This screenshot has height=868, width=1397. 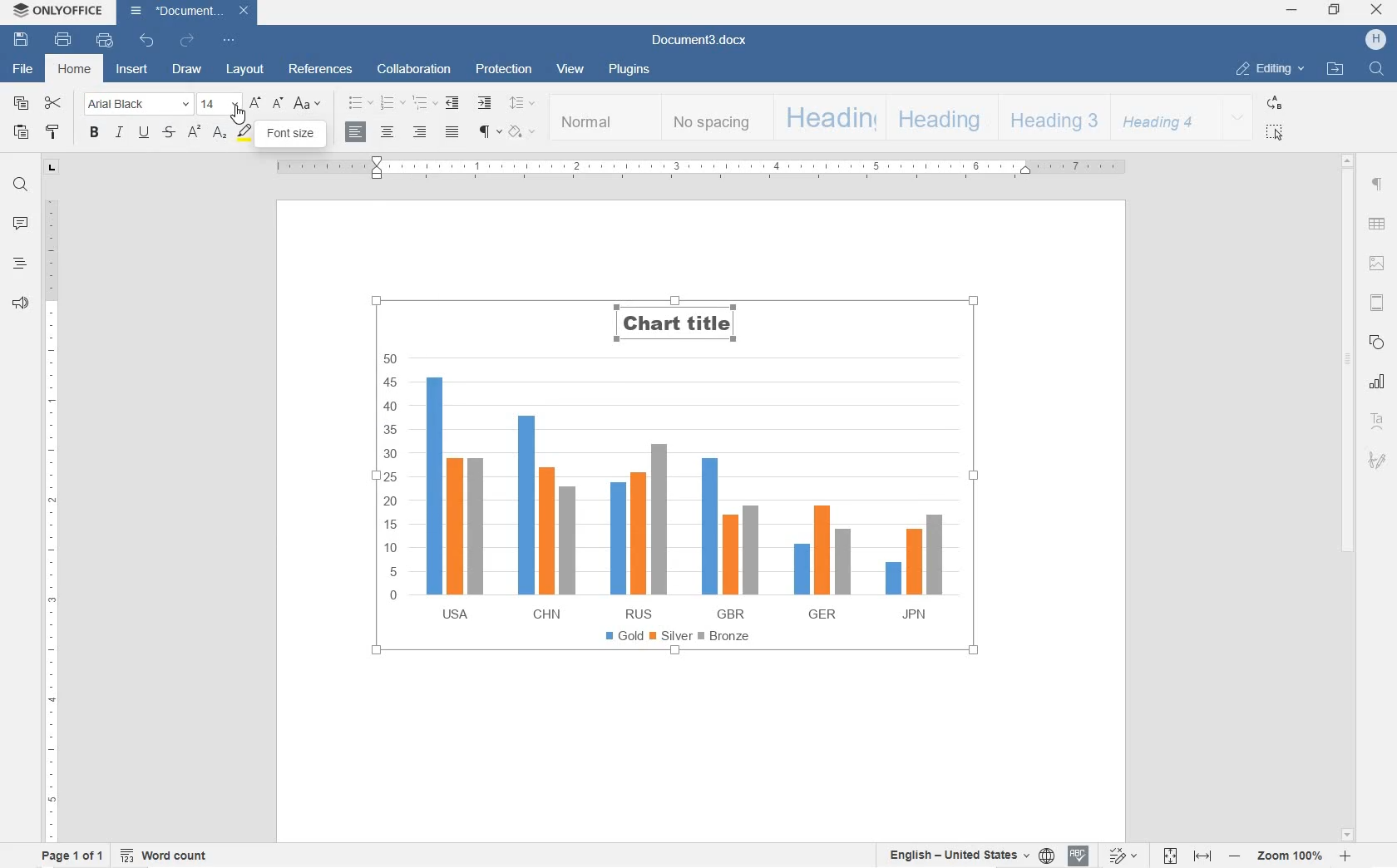 What do you see at coordinates (693, 169) in the screenshot?
I see `RULER` at bounding box center [693, 169].